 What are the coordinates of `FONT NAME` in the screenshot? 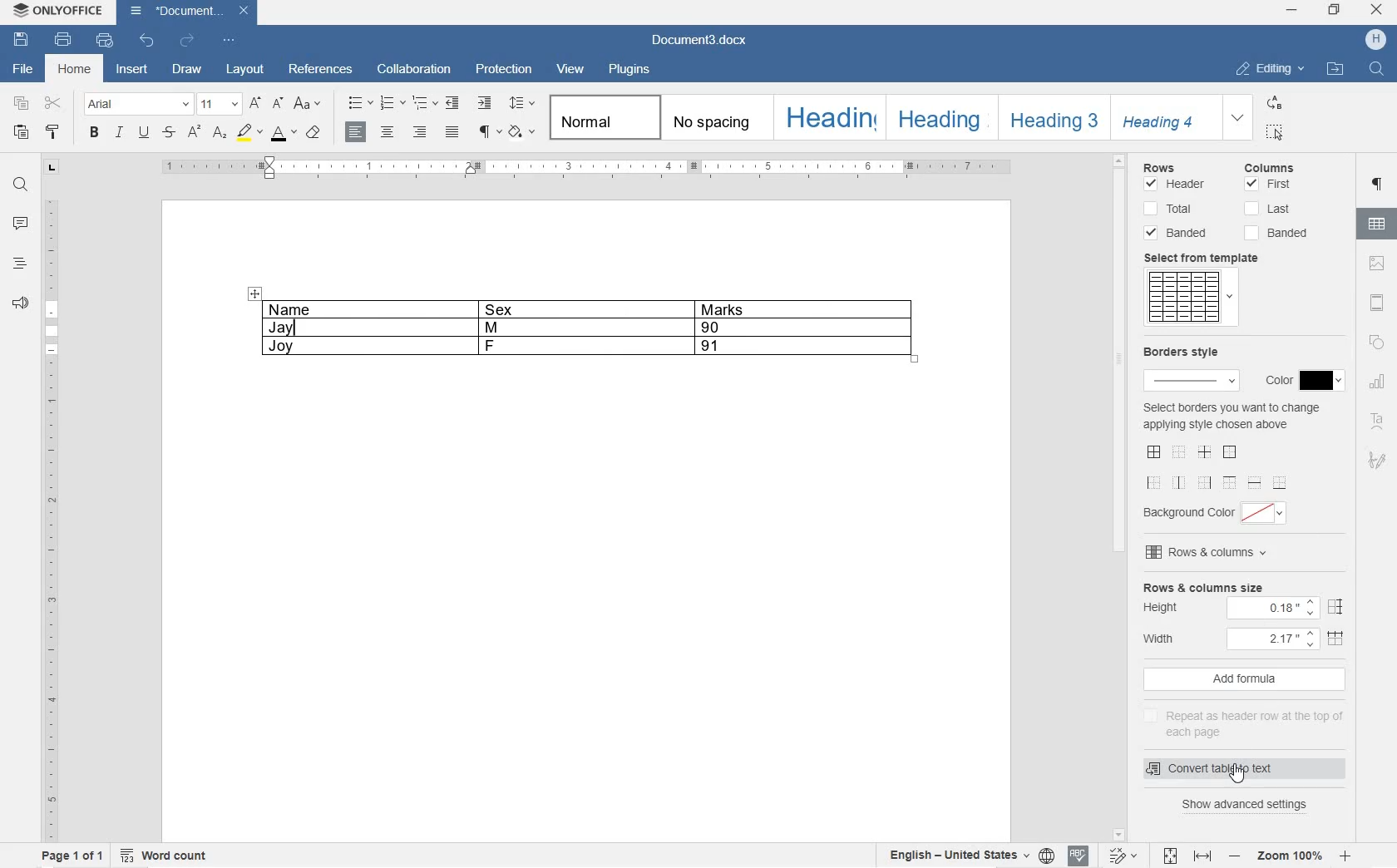 It's located at (137, 105).